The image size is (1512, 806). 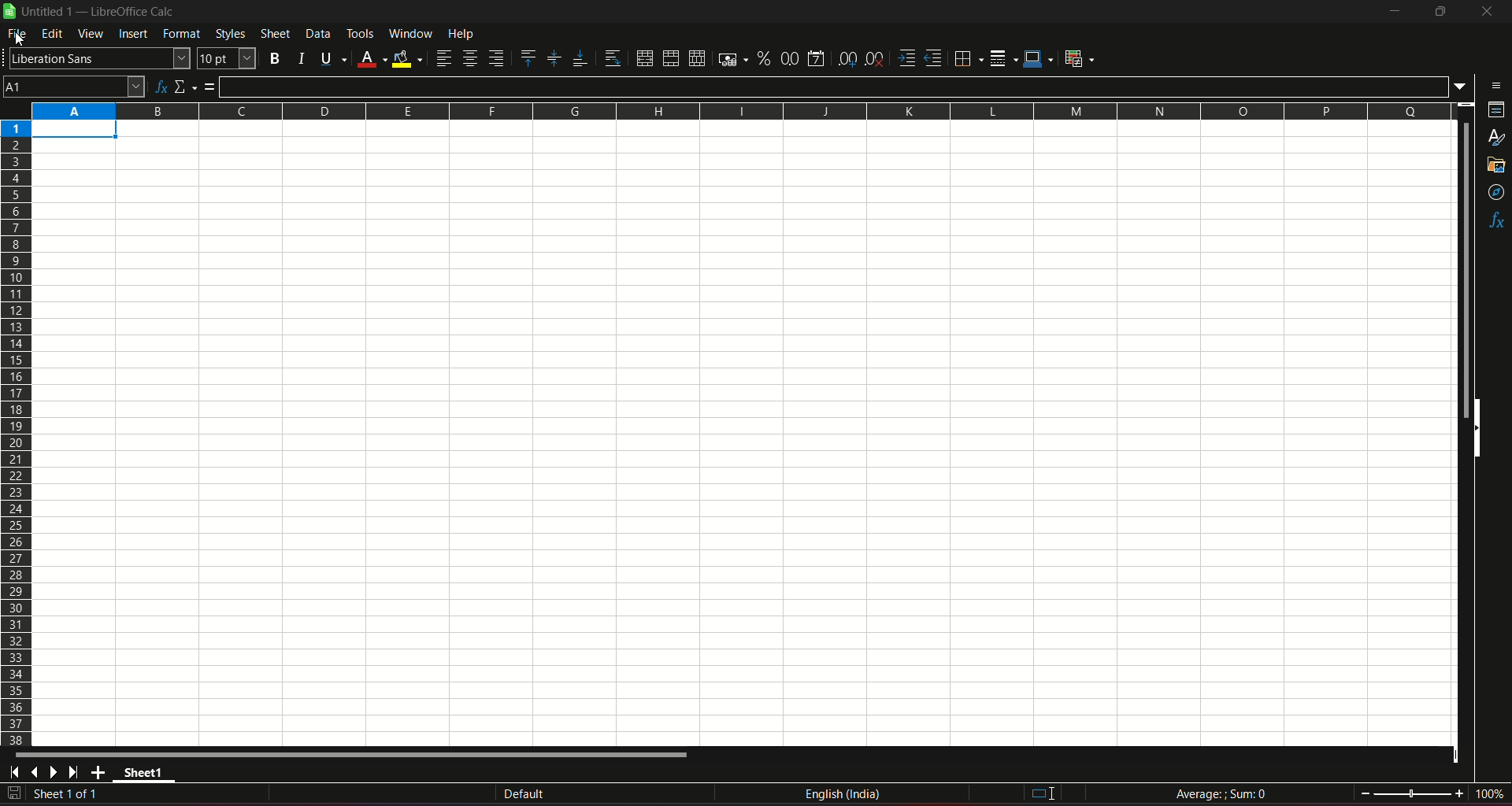 I want to click on format as percent, so click(x=762, y=59).